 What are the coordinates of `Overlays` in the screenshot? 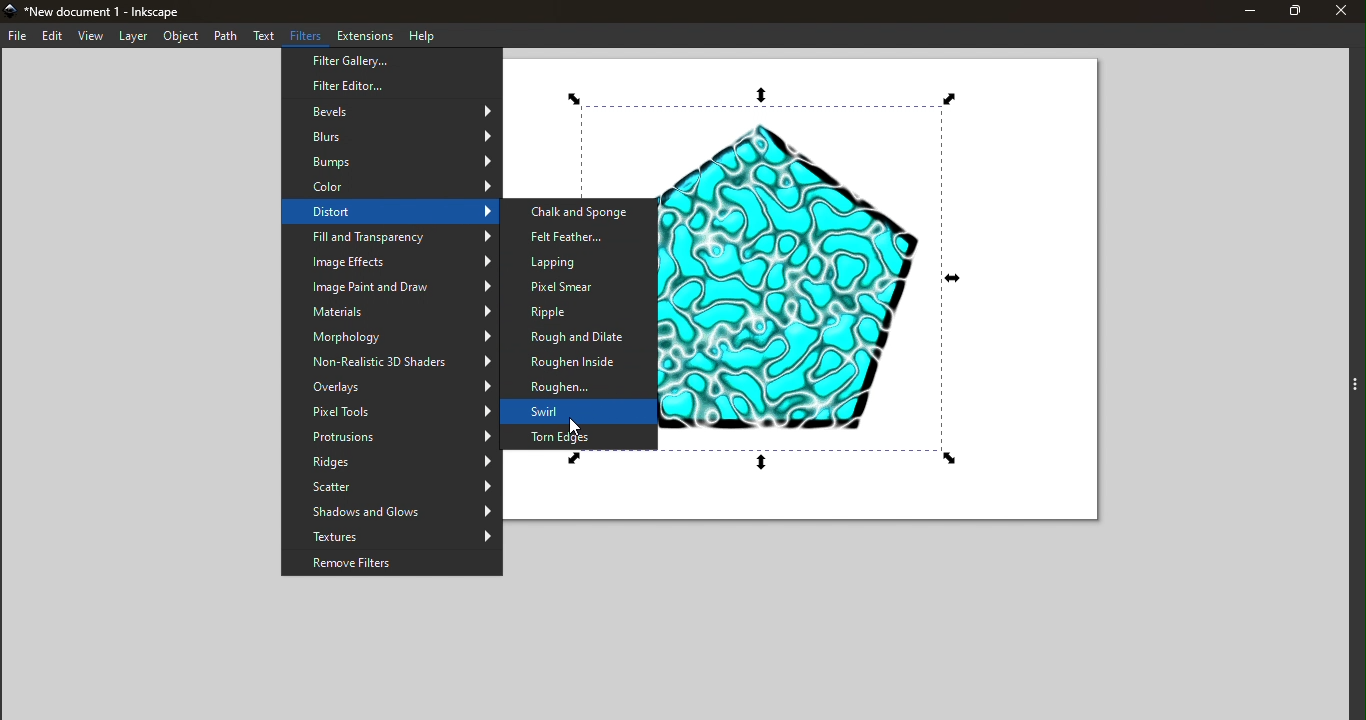 It's located at (390, 388).